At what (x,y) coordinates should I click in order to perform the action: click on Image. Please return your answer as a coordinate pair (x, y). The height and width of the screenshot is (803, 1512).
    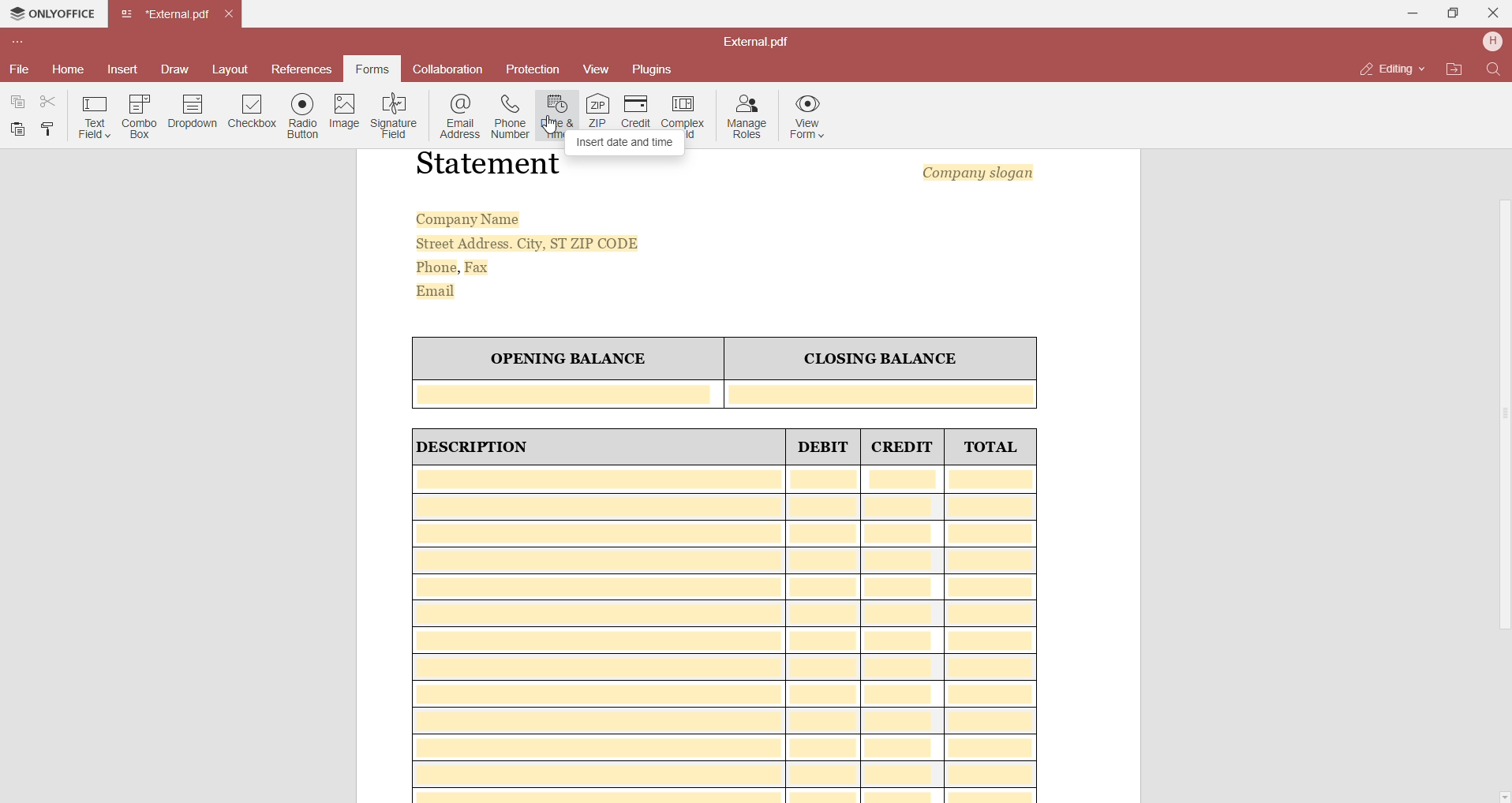
    Looking at the image, I should click on (344, 111).